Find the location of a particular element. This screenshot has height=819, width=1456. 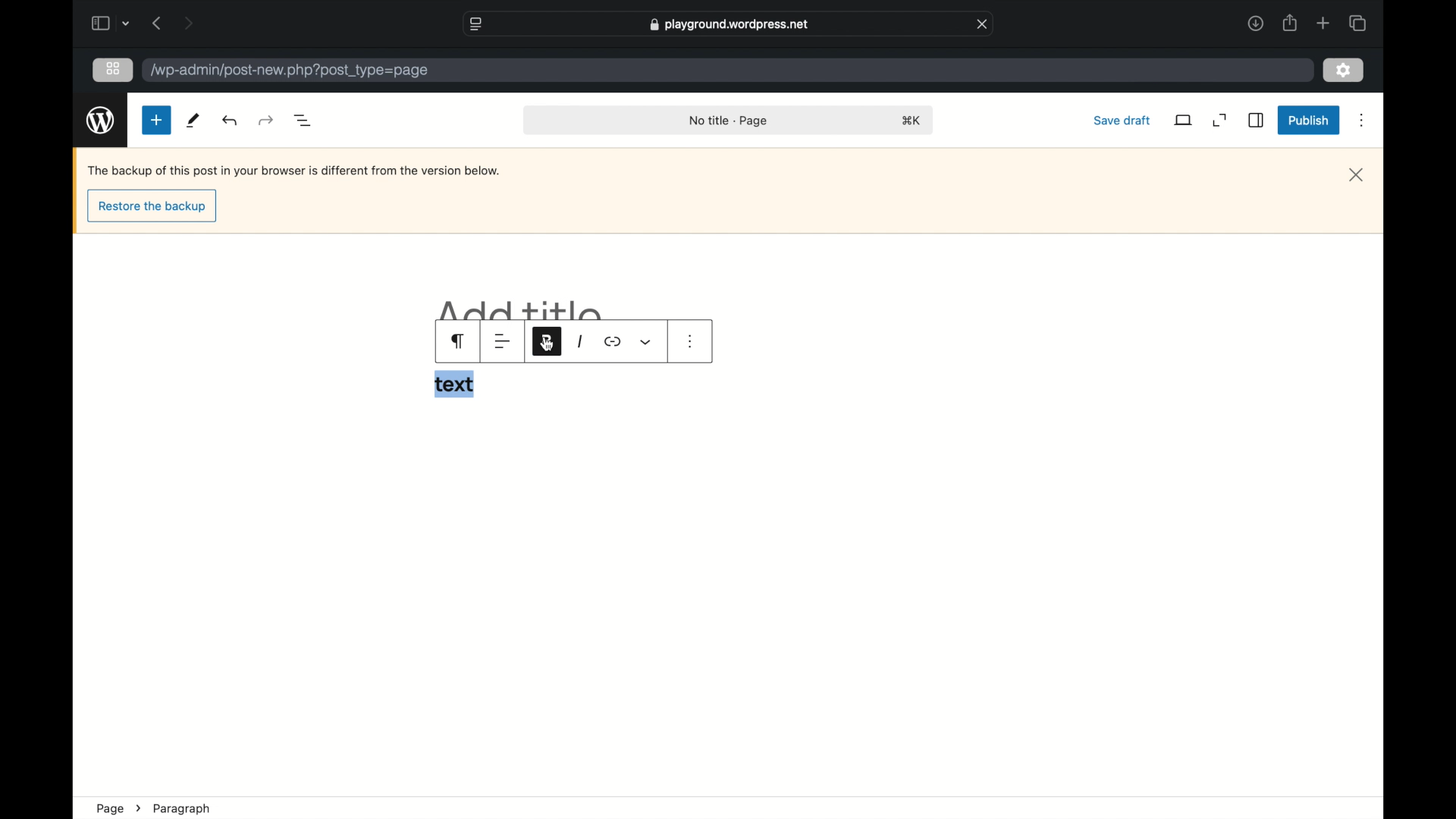

document overview is located at coordinates (302, 119).